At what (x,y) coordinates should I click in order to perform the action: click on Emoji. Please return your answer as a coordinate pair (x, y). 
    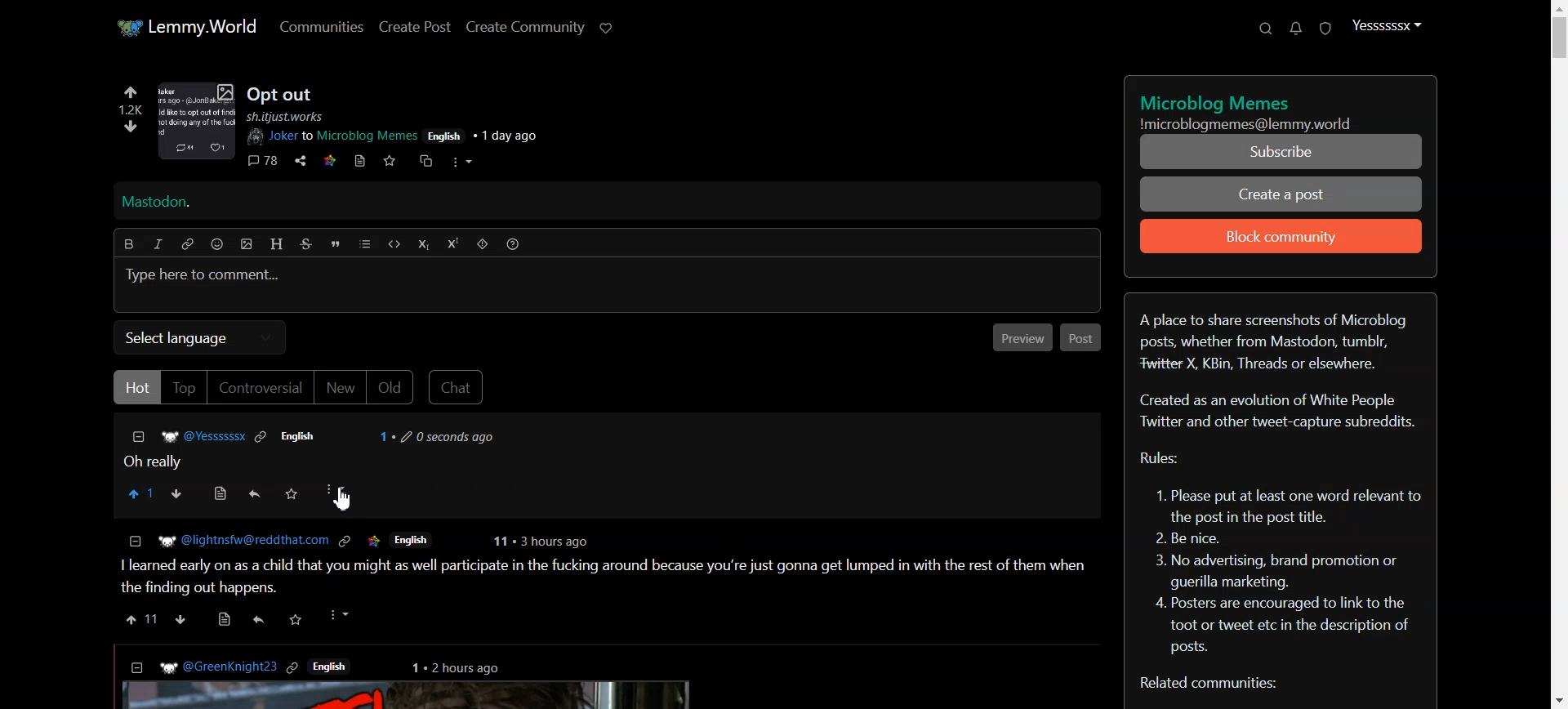
    Looking at the image, I should click on (219, 243).